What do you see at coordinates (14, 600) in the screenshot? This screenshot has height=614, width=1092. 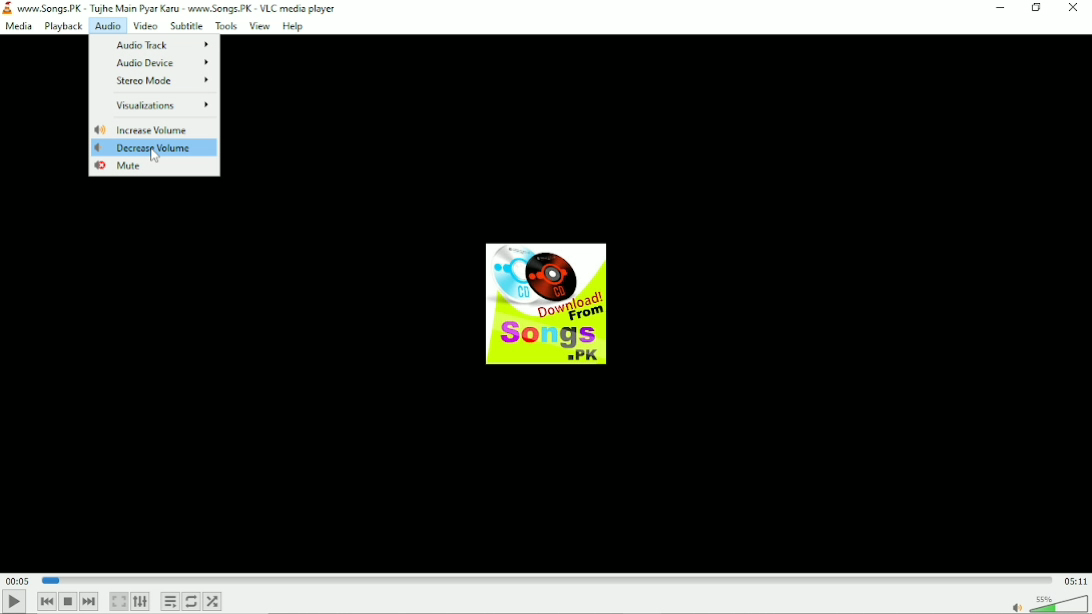 I see `Play` at bounding box center [14, 600].